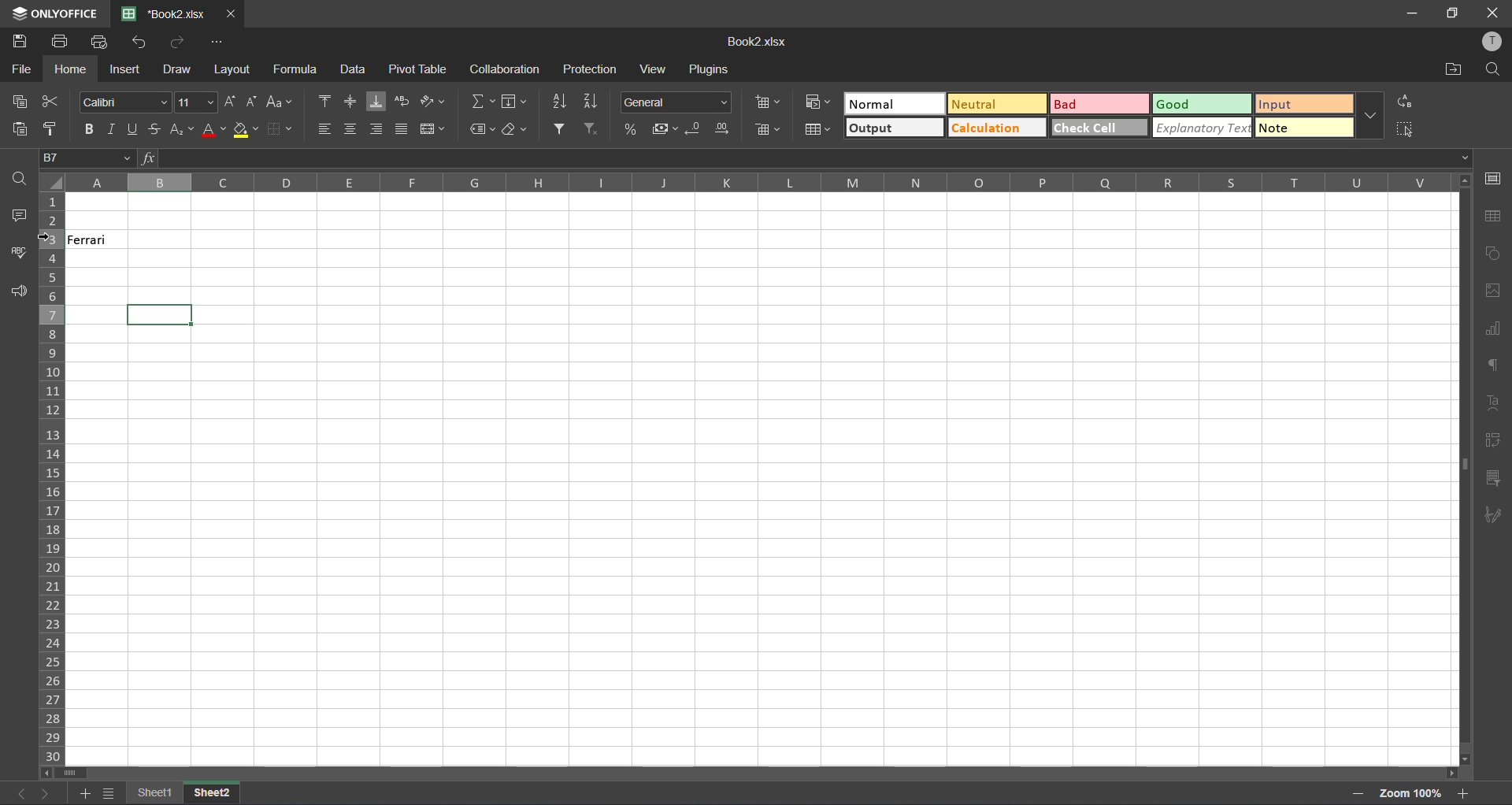 This screenshot has height=805, width=1512. What do you see at coordinates (178, 72) in the screenshot?
I see `draw` at bounding box center [178, 72].